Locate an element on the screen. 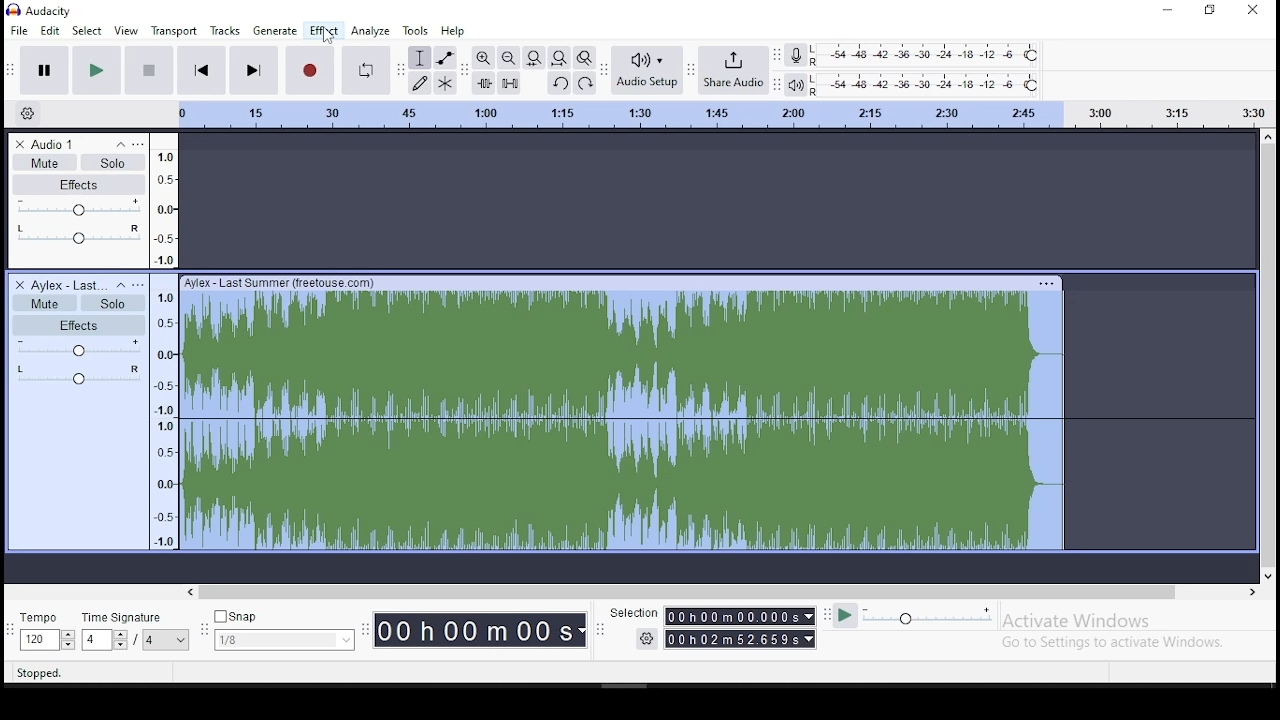  silence audio selection is located at coordinates (510, 83).